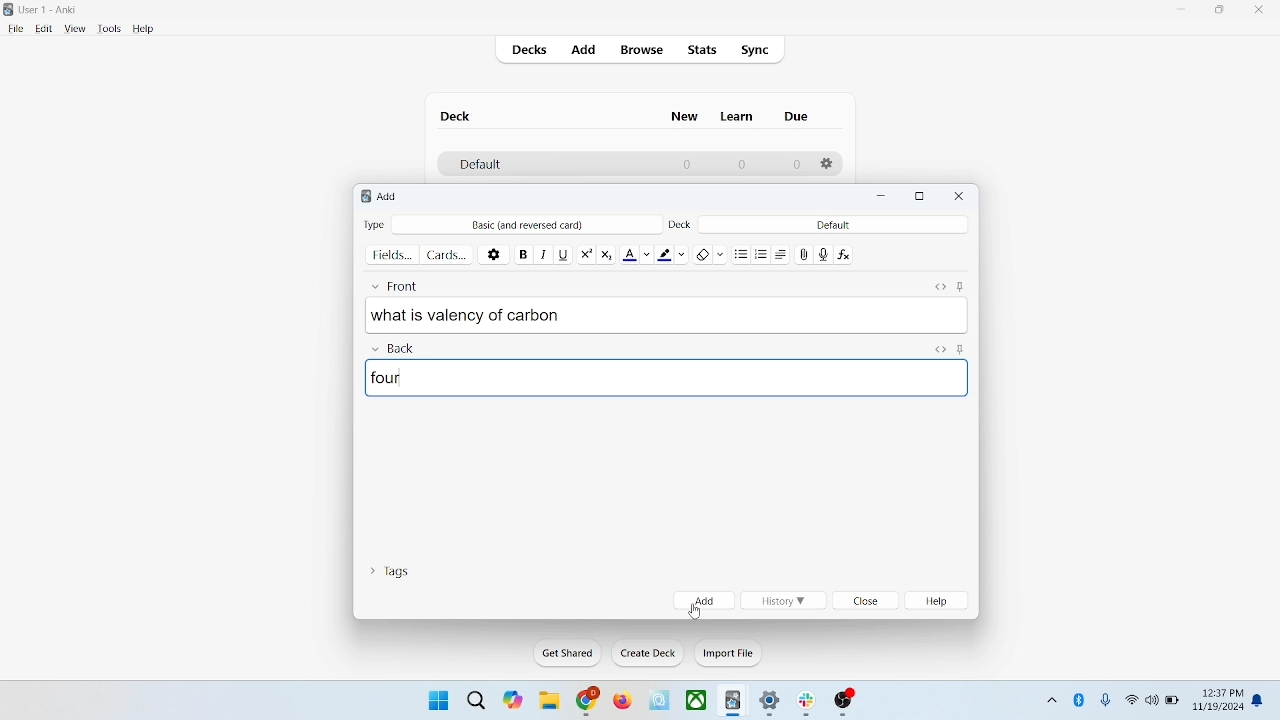  What do you see at coordinates (1217, 708) in the screenshot?
I see `11/19/2024` at bounding box center [1217, 708].